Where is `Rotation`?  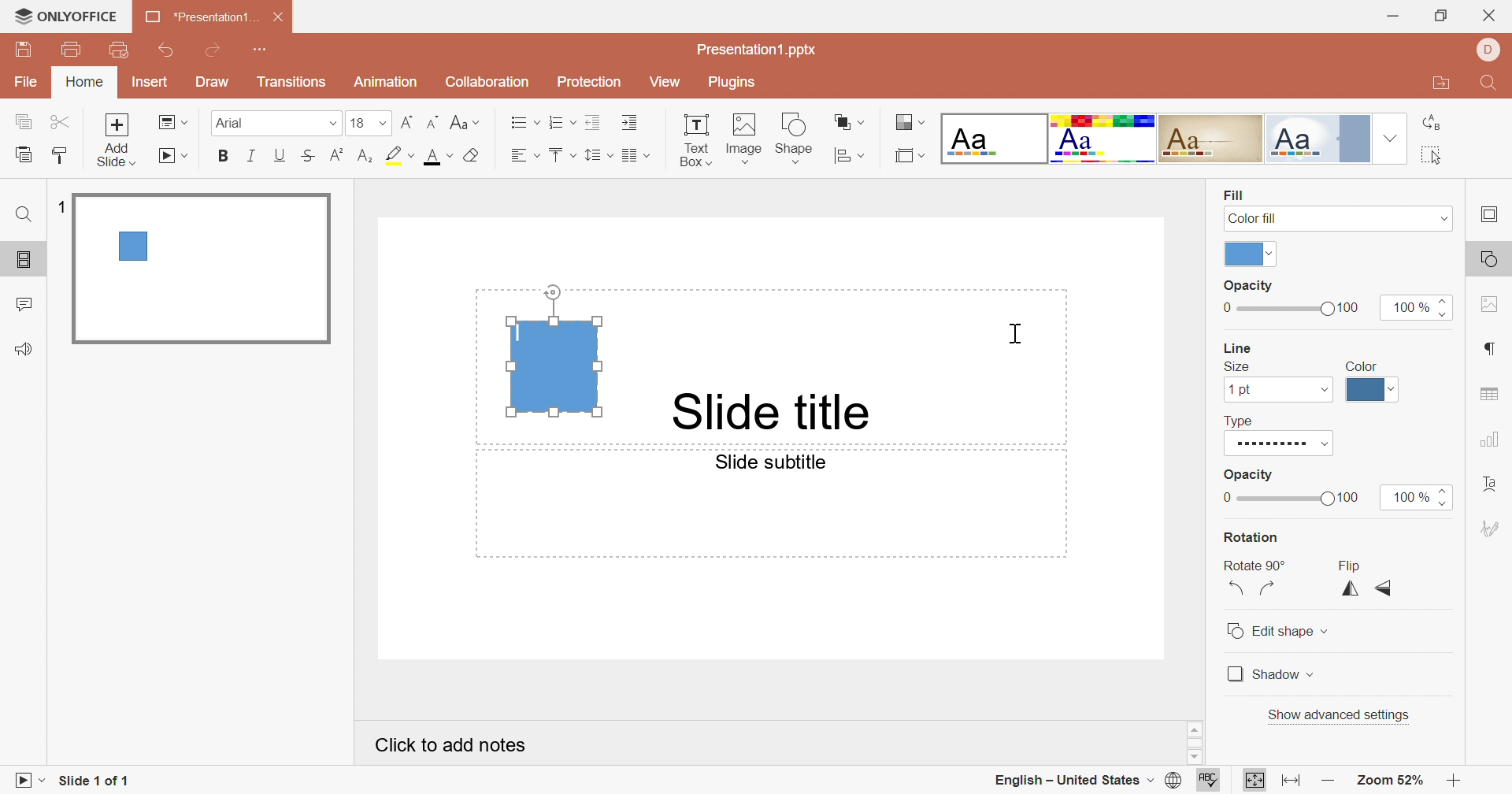 Rotation is located at coordinates (1255, 536).